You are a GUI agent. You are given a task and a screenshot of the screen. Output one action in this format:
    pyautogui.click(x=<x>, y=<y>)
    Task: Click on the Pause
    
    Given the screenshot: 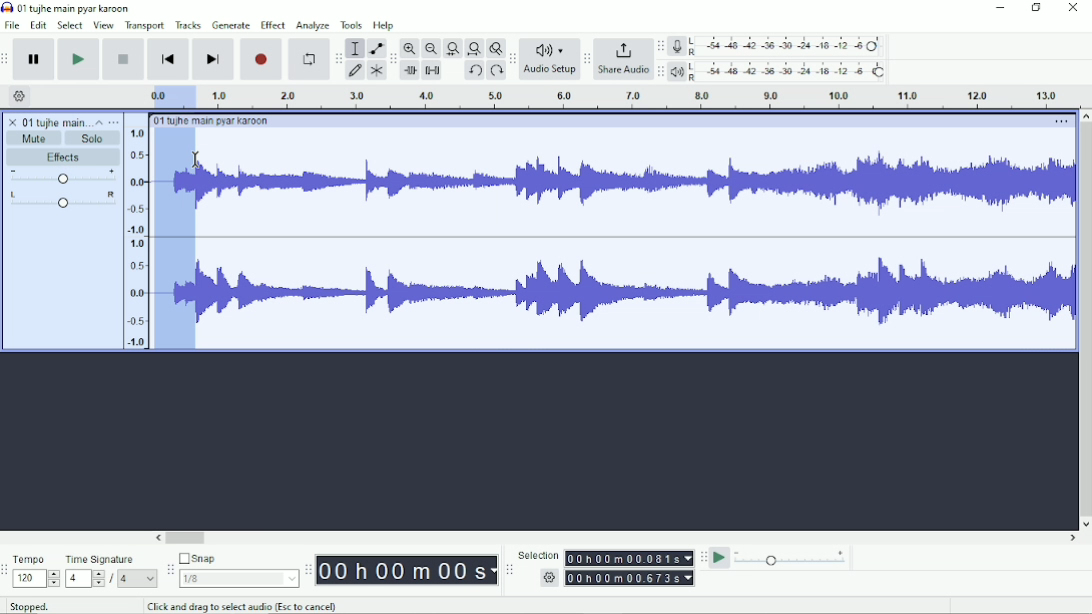 What is the action you would take?
    pyautogui.click(x=35, y=60)
    